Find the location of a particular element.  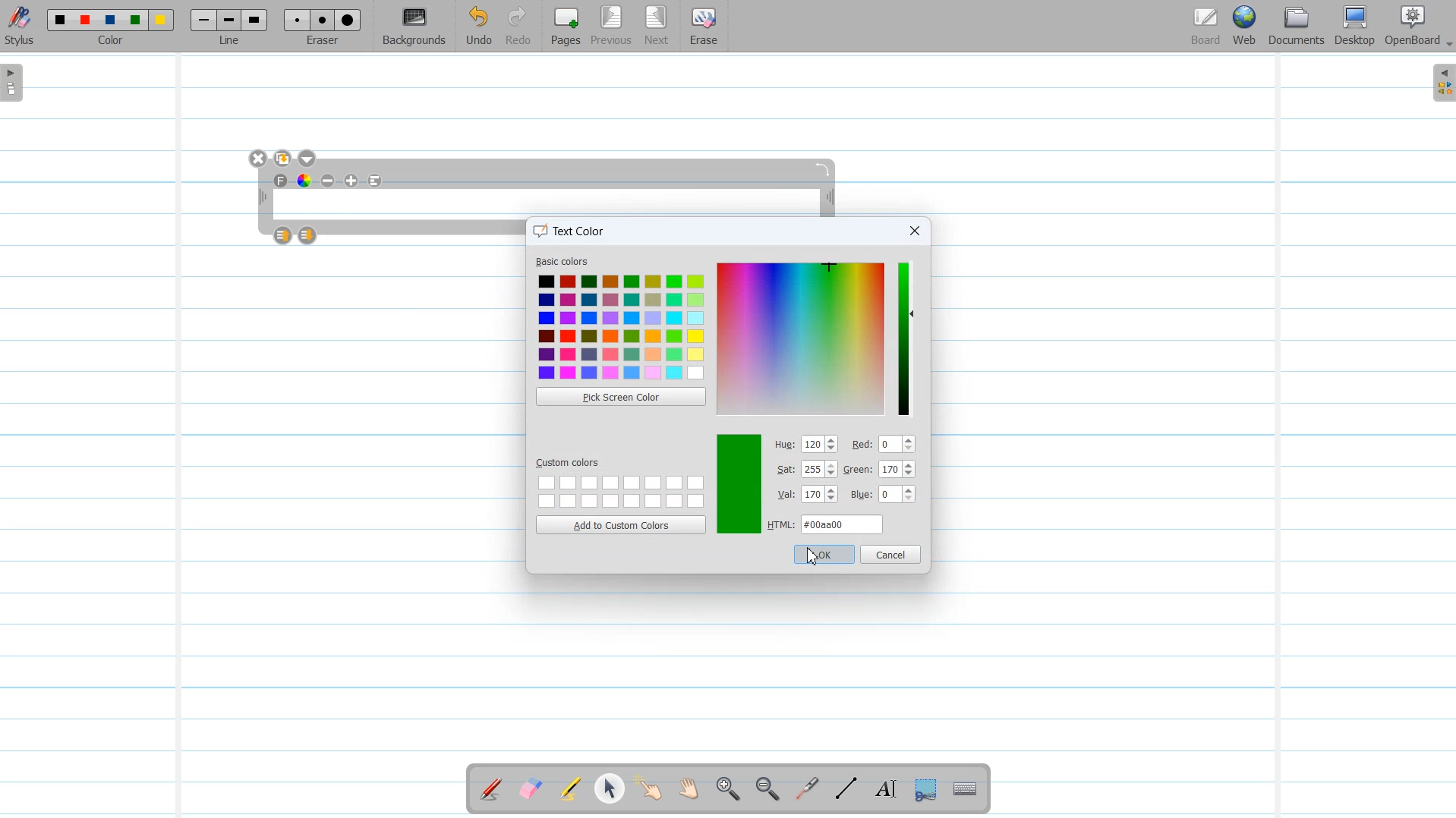

Color adjuster is located at coordinates (883, 470).